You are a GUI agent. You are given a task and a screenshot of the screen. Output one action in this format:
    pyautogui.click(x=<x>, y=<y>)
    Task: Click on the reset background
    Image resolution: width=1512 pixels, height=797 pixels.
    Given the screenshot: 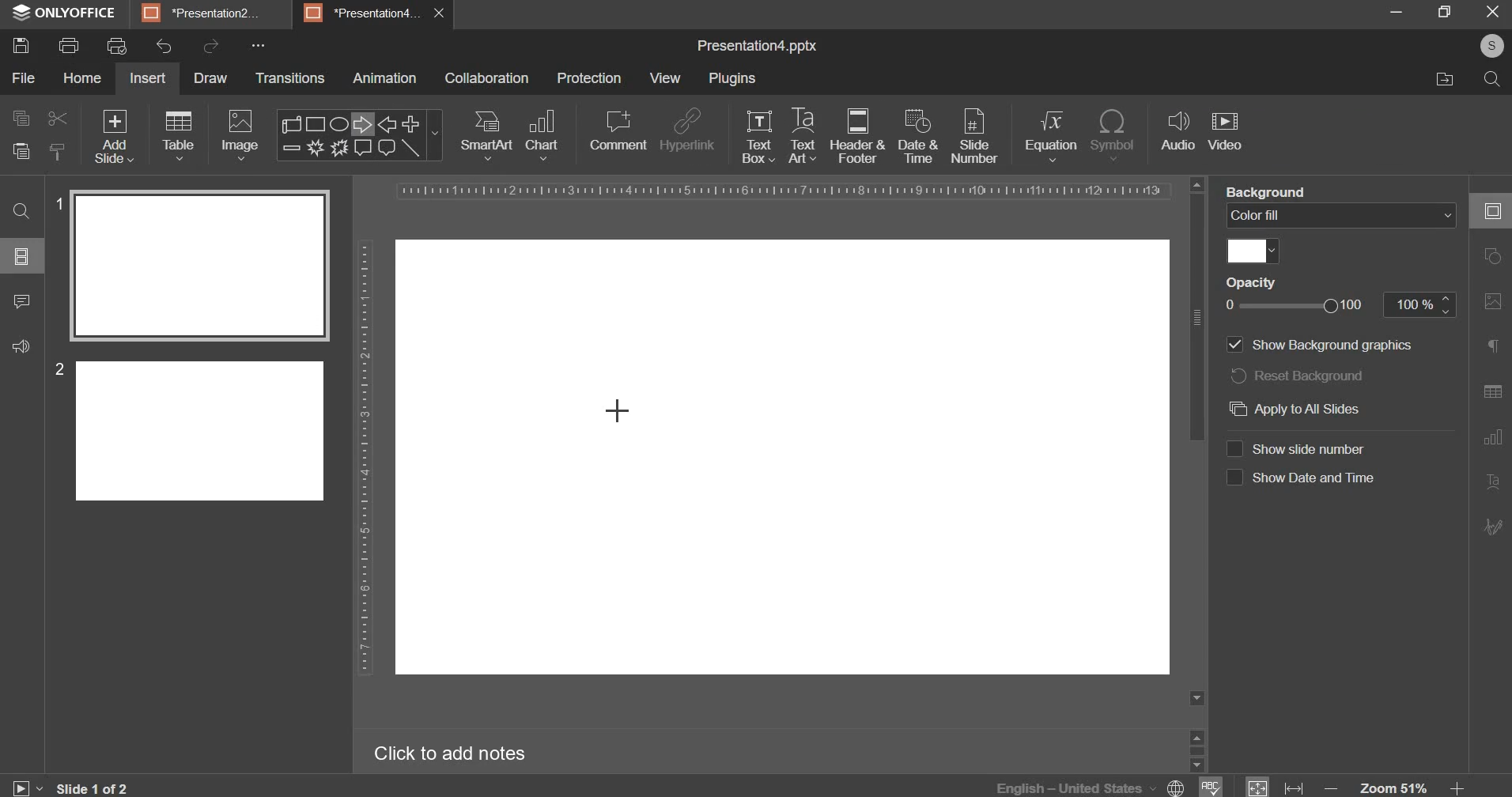 What is the action you would take?
    pyautogui.click(x=1297, y=376)
    